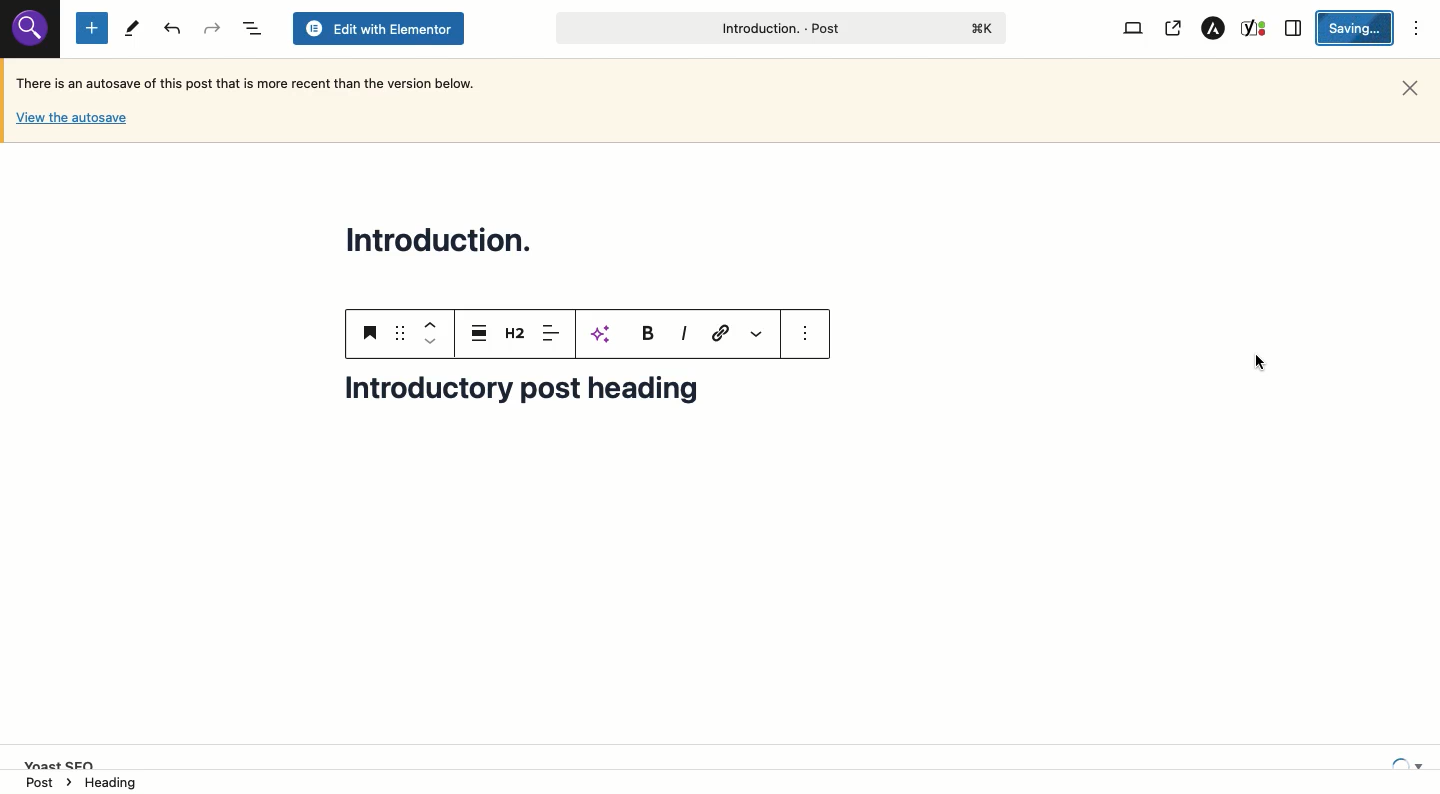 The height and width of the screenshot is (794, 1440). What do you see at coordinates (1410, 89) in the screenshot?
I see `Close` at bounding box center [1410, 89].